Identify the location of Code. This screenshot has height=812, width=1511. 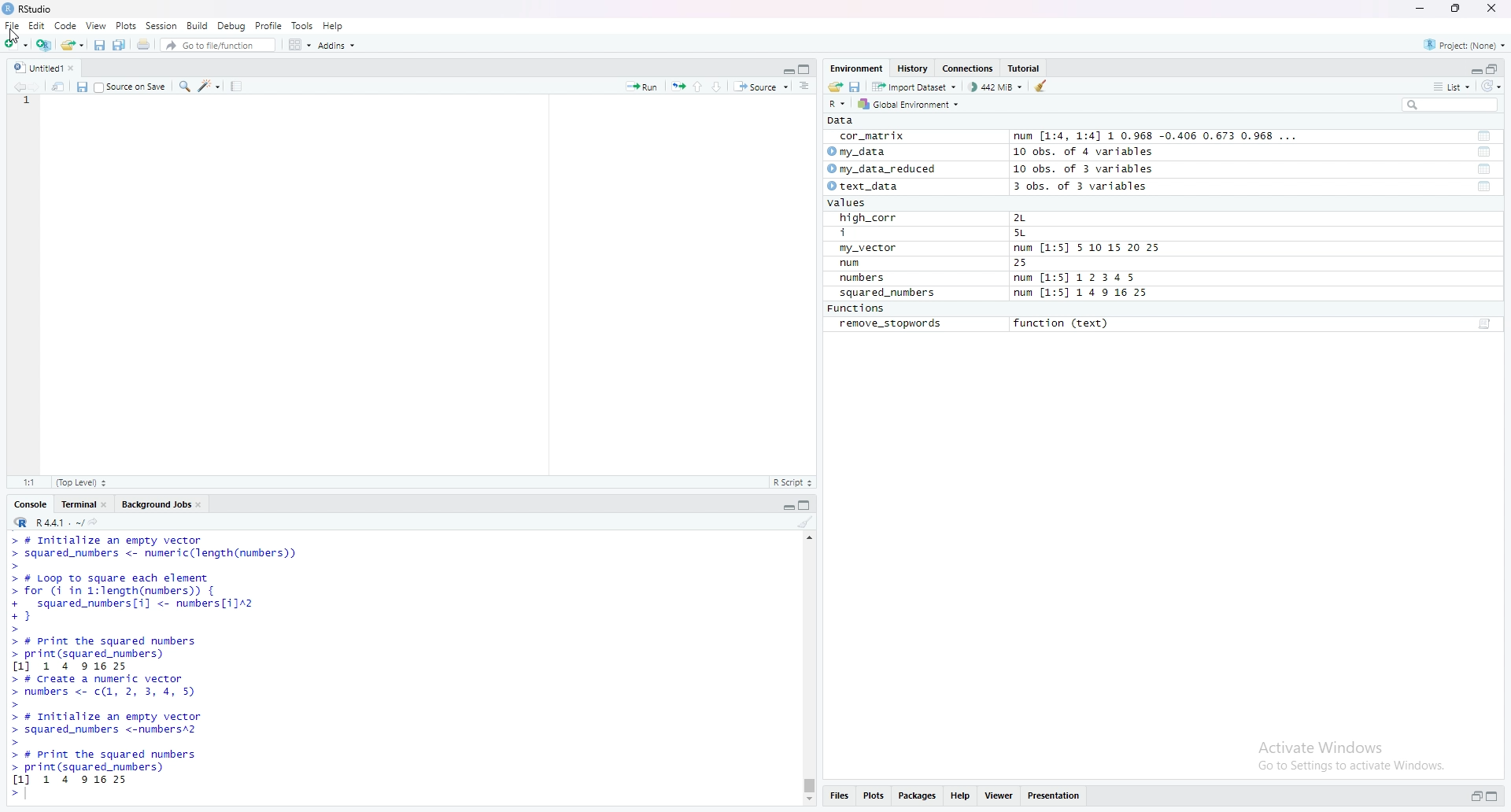
(65, 26).